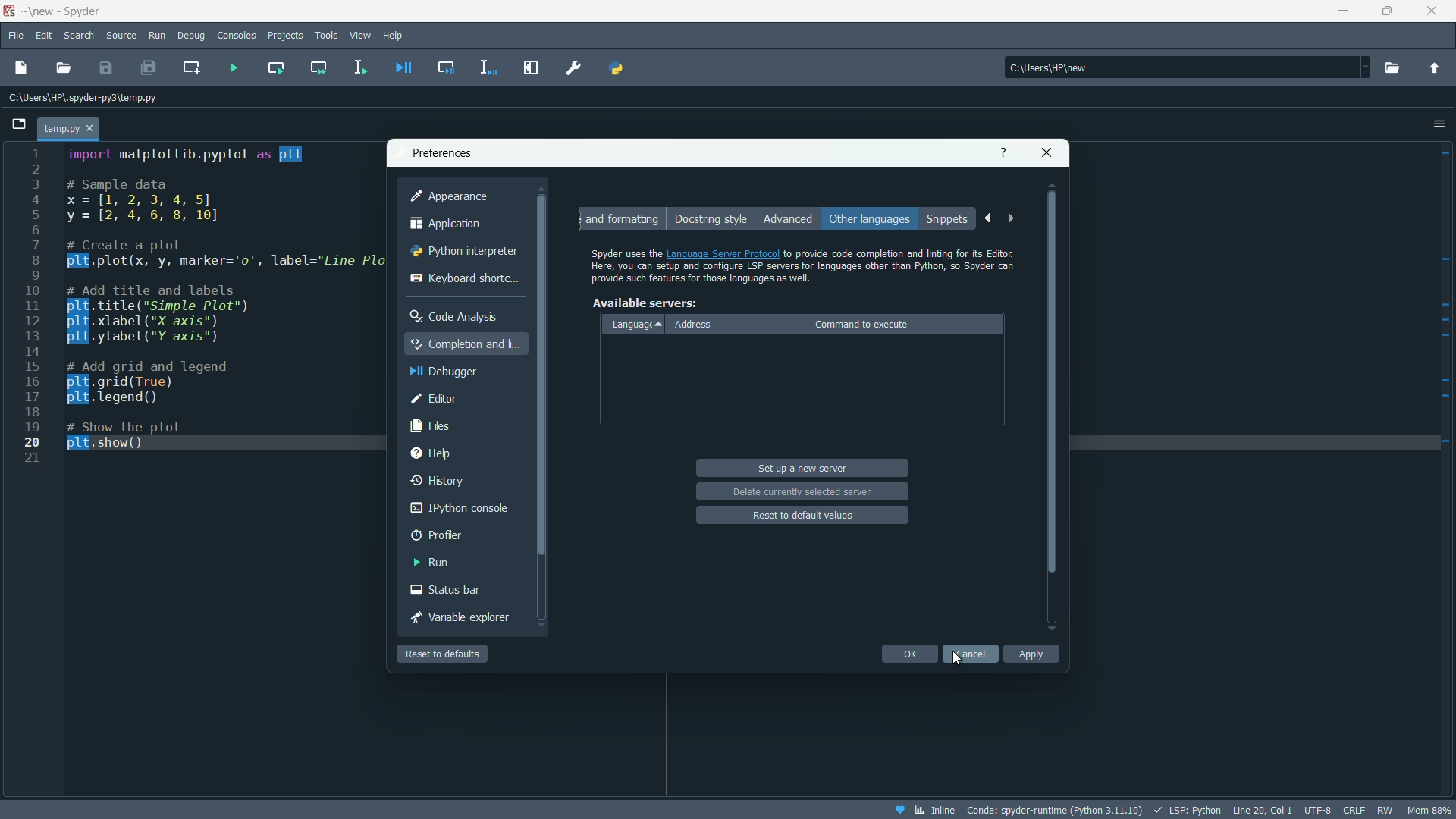 The width and height of the screenshot is (1456, 819). I want to click on save all files, so click(147, 67).